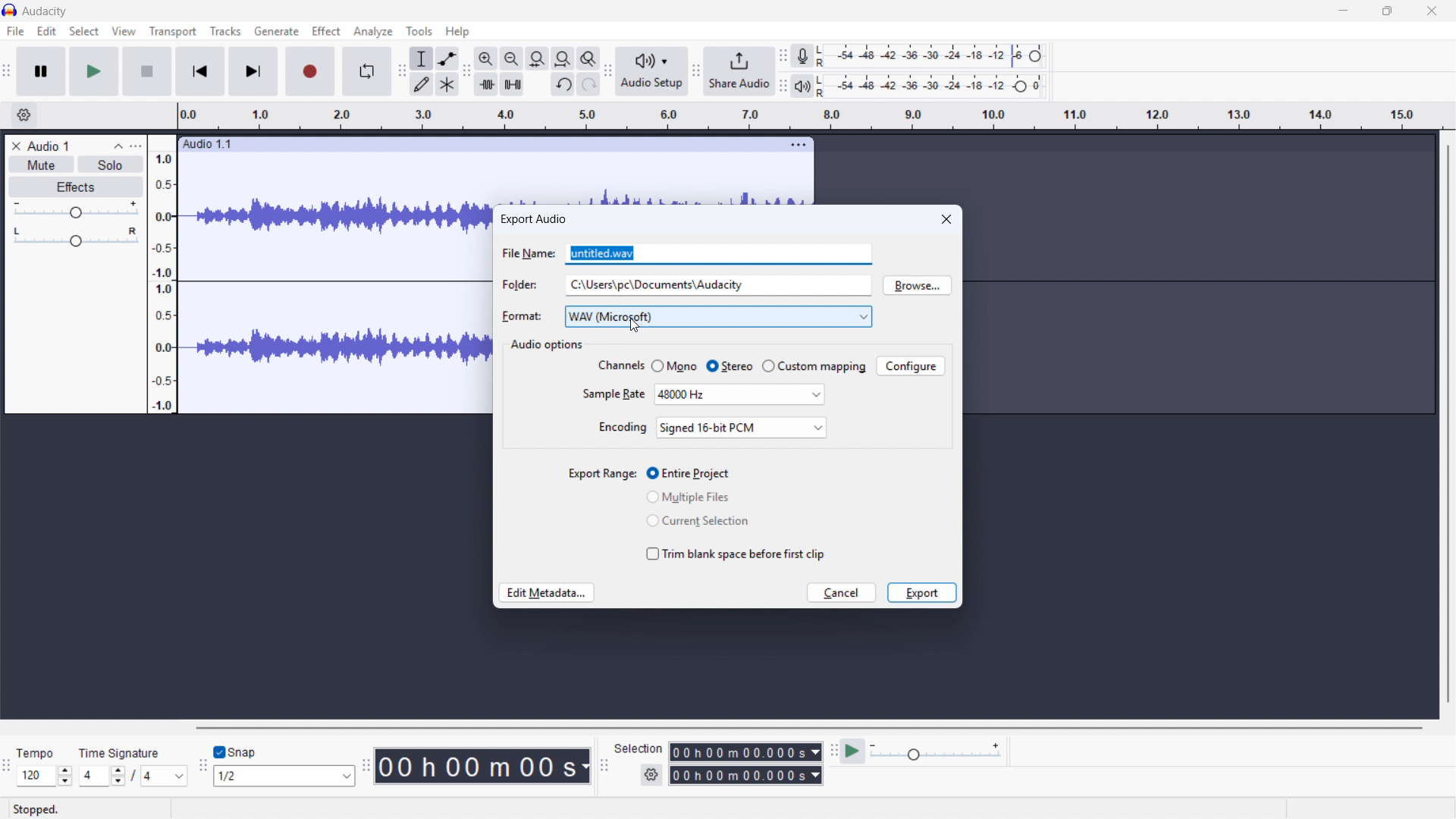 Image resolution: width=1456 pixels, height=819 pixels. Describe the element at coordinates (44, 775) in the screenshot. I see `Set tempo ` at that location.